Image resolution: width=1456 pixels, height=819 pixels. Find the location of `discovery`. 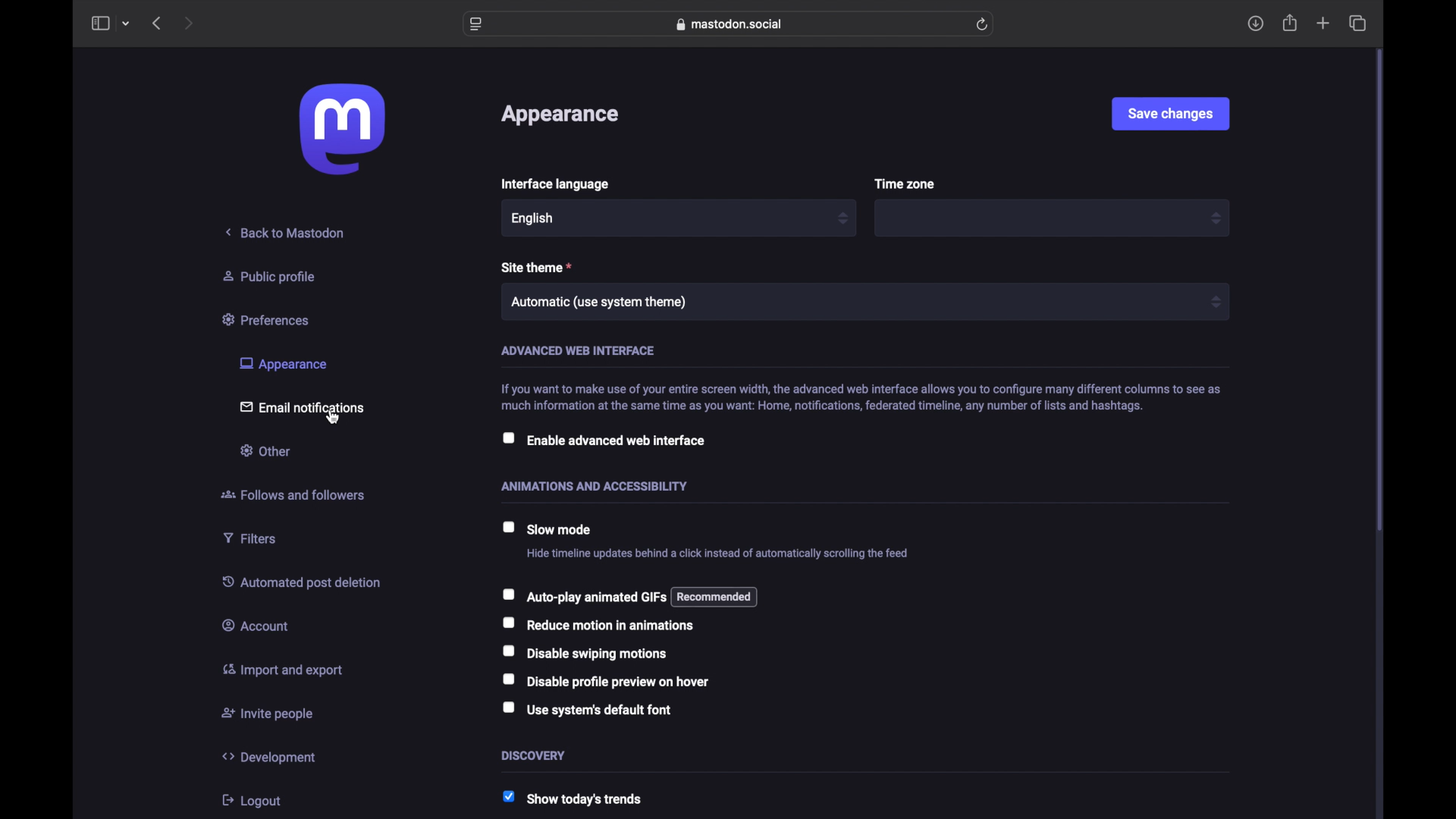

discovery is located at coordinates (534, 755).